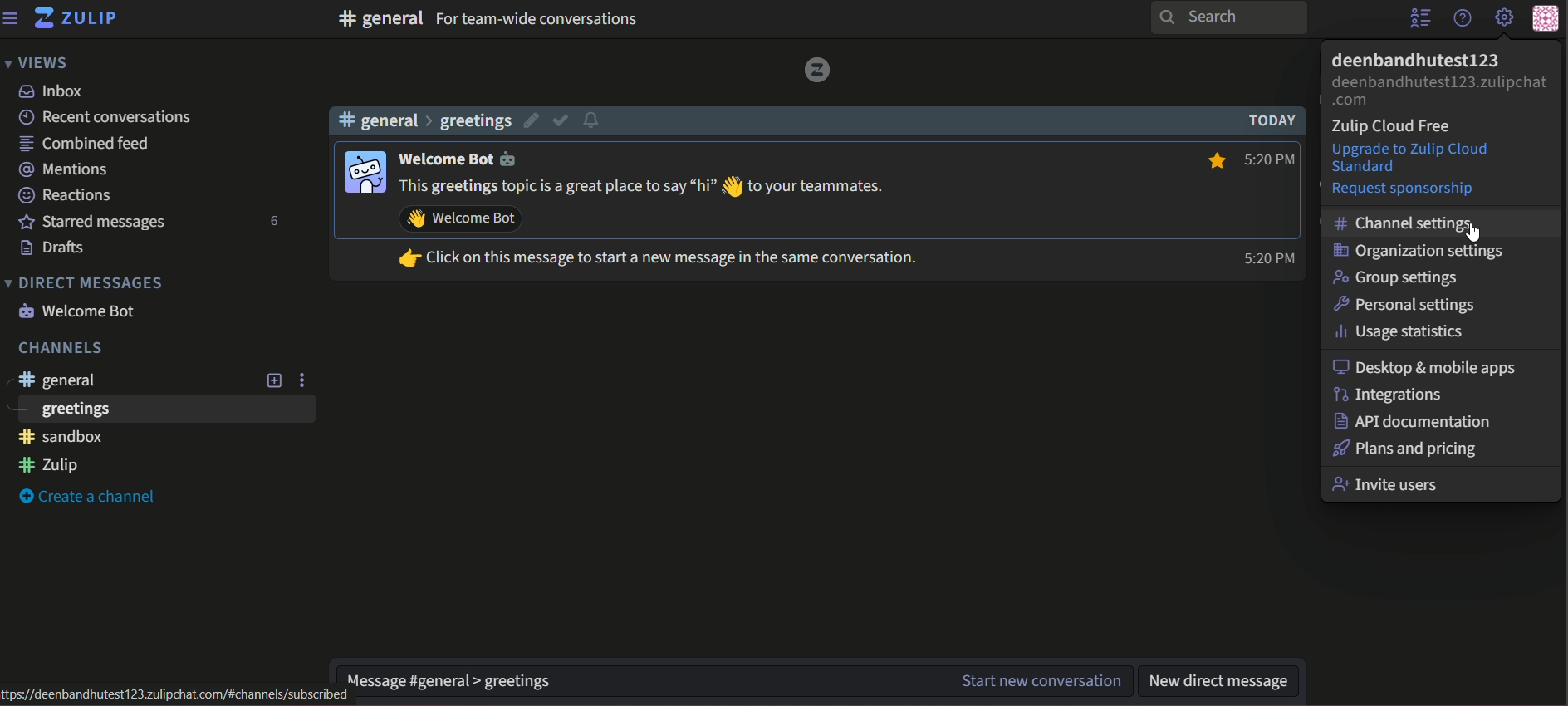  Describe the element at coordinates (1267, 120) in the screenshot. I see `today` at that location.